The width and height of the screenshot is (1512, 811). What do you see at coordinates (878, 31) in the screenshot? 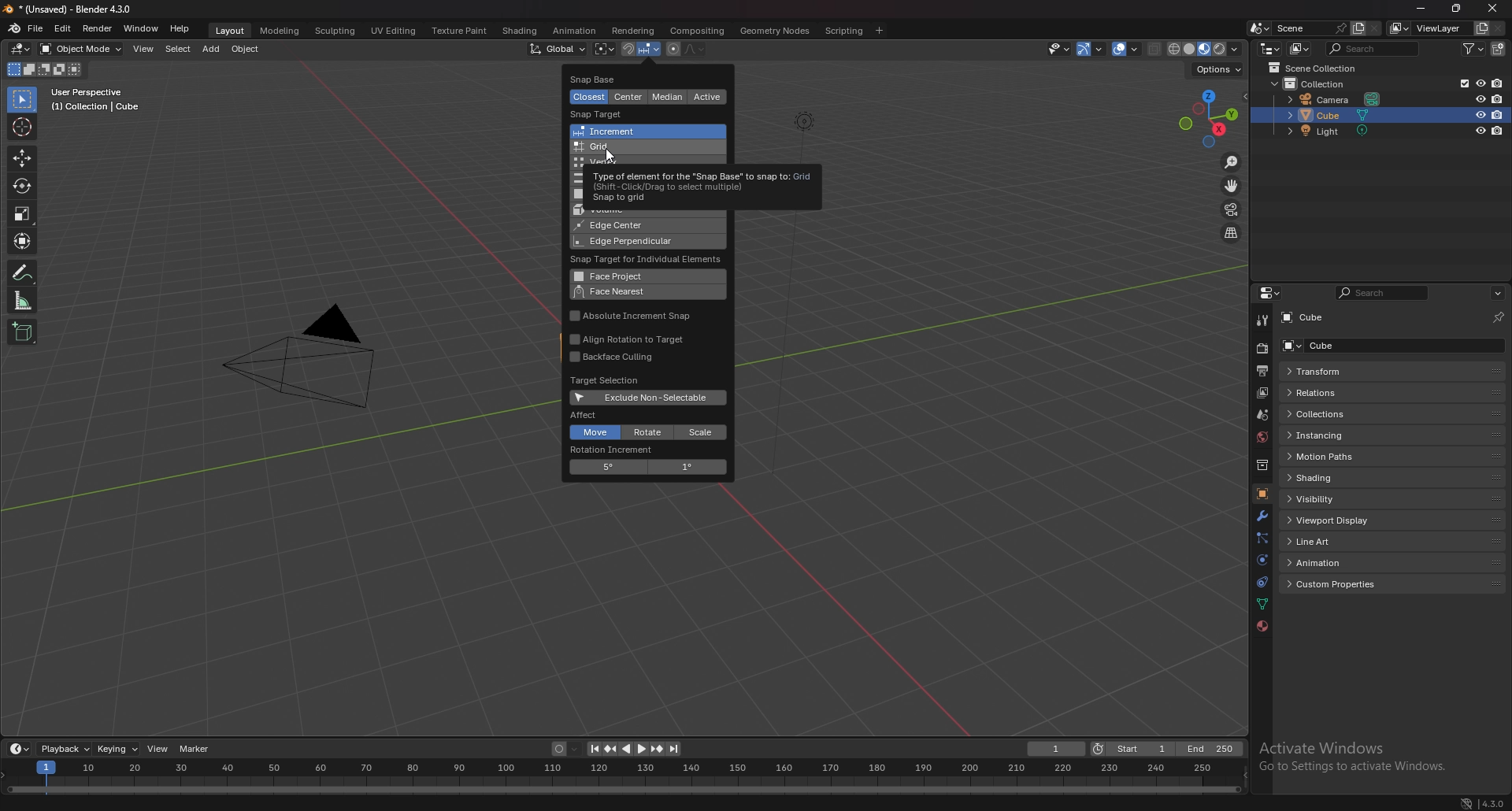
I see `add workspace` at bounding box center [878, 31].